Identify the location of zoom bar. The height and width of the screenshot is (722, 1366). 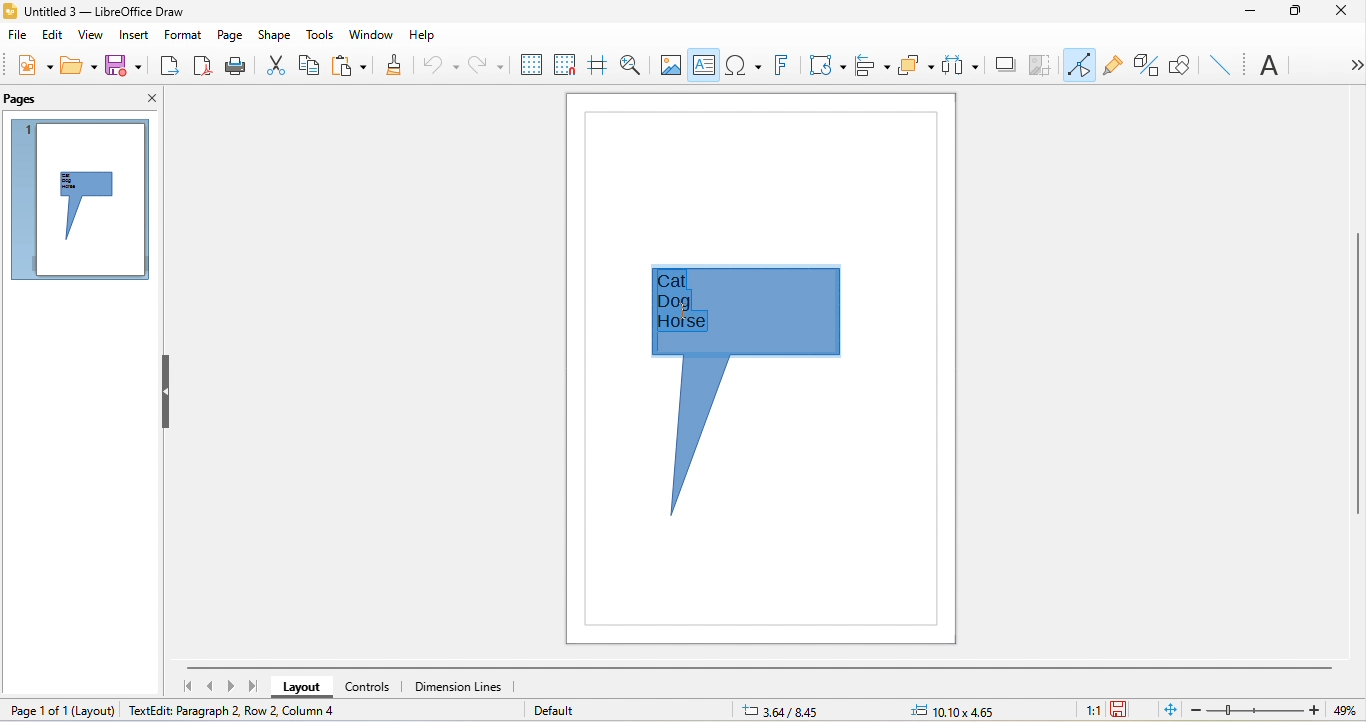
(1257, 710).